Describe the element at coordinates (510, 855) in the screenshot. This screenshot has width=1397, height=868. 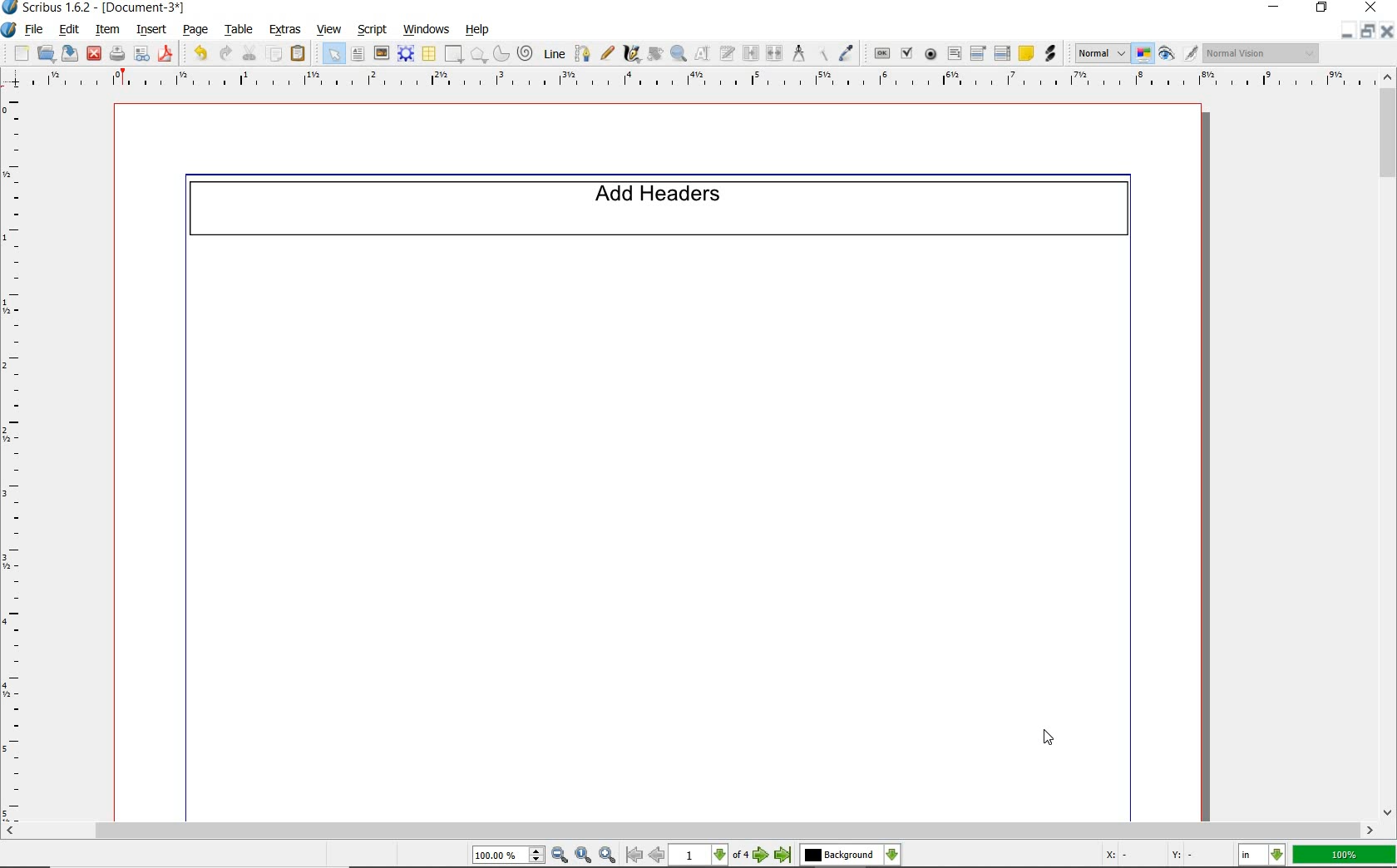
I see `select current zoom level` at that location.